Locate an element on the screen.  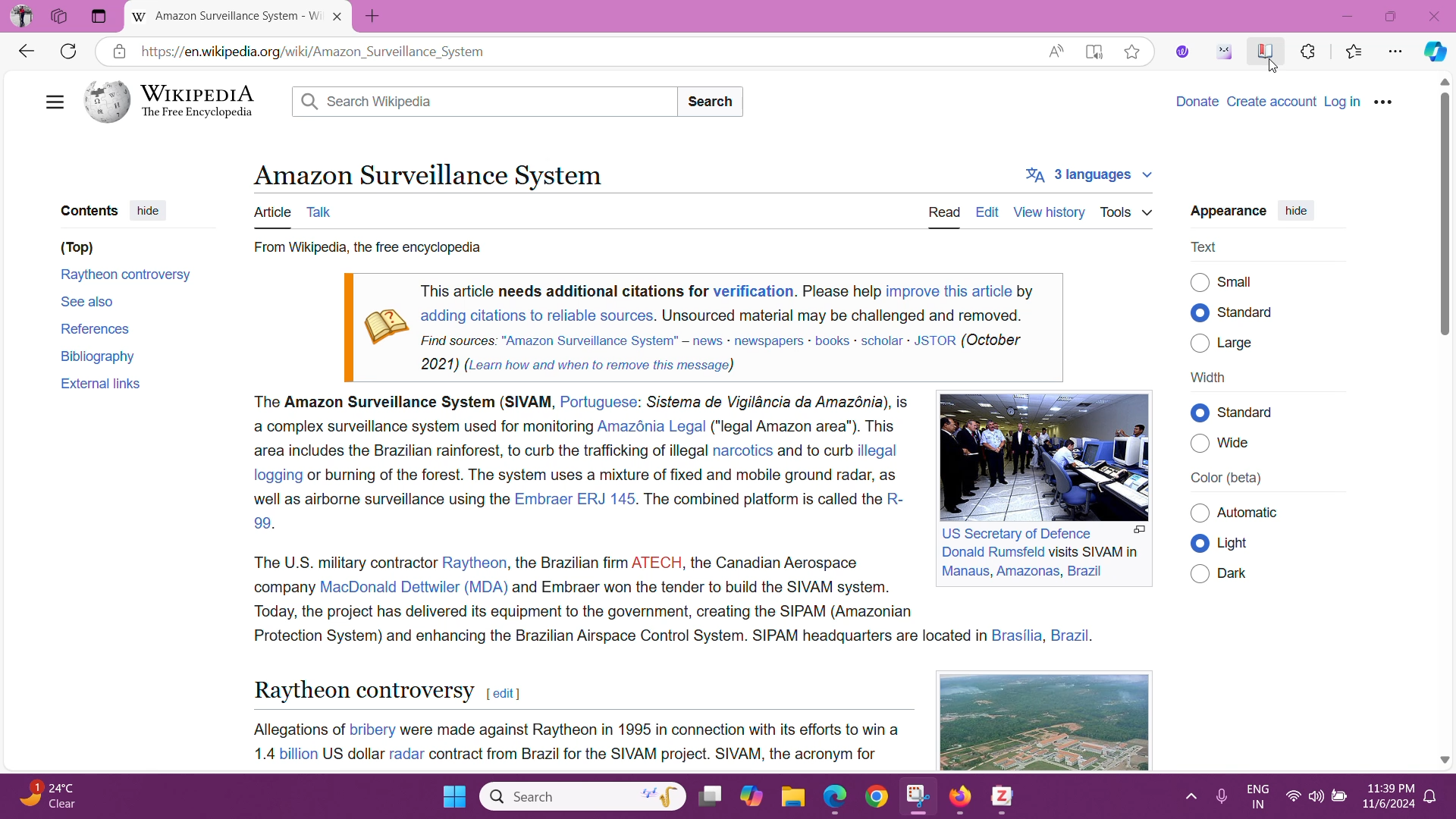
more option is located at coordinates (45, 102).